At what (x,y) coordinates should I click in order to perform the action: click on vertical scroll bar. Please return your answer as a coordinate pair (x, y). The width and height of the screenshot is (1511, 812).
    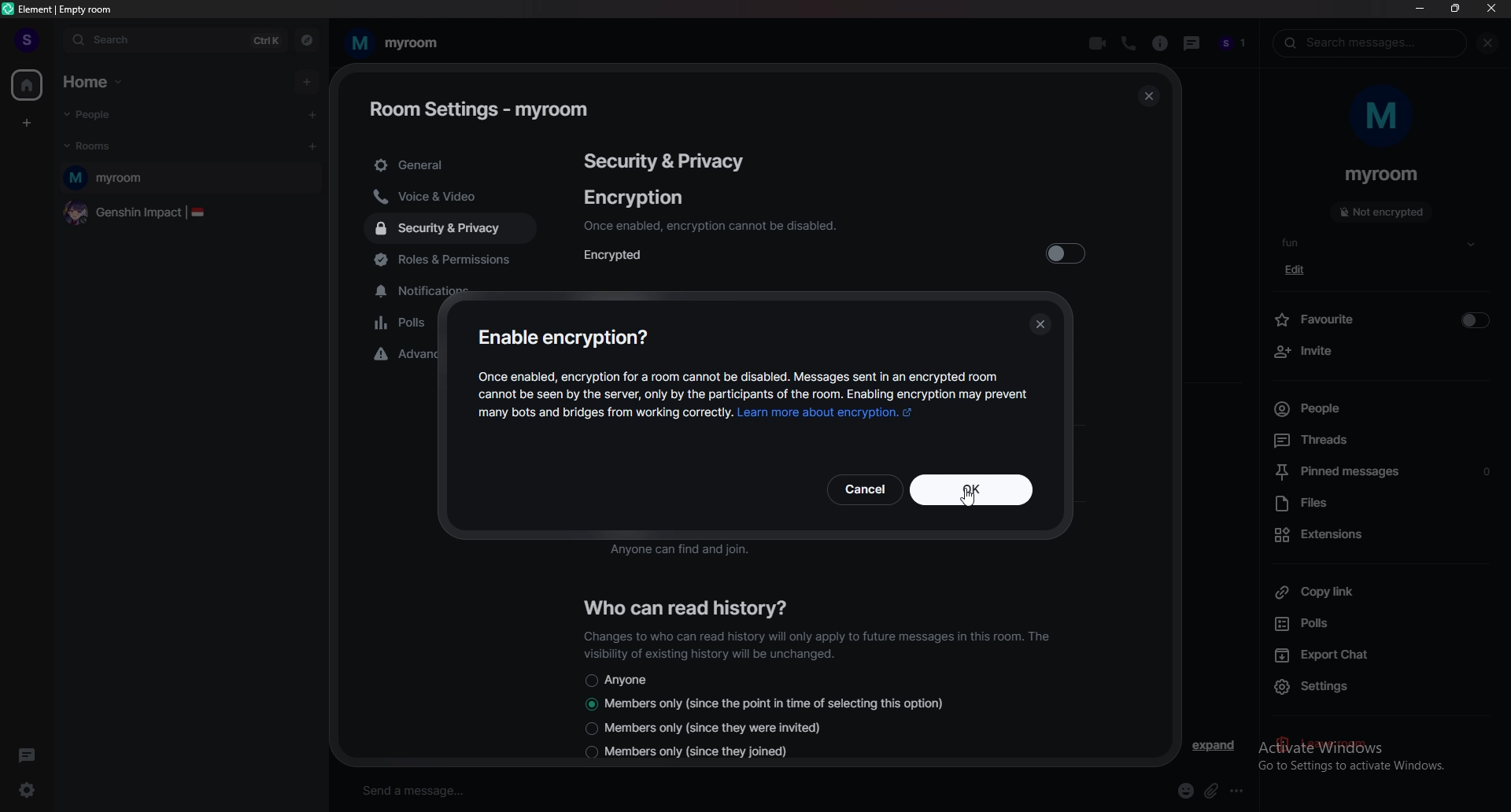
    Looking at the image, I should click on (1166, 408).